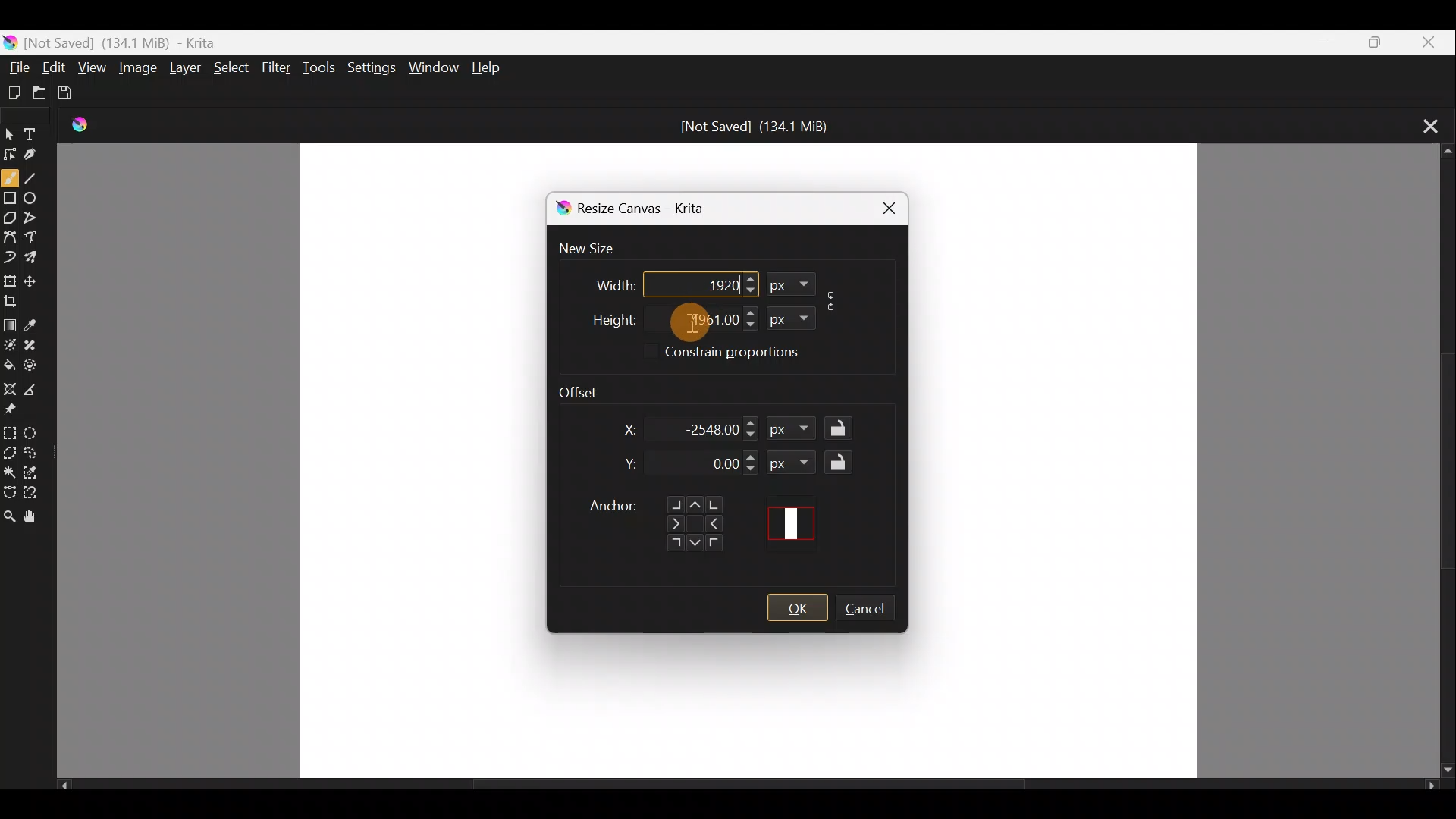  Describe the element at coordinates (369, 67) in the screenshot. I see `Settings` at that location.